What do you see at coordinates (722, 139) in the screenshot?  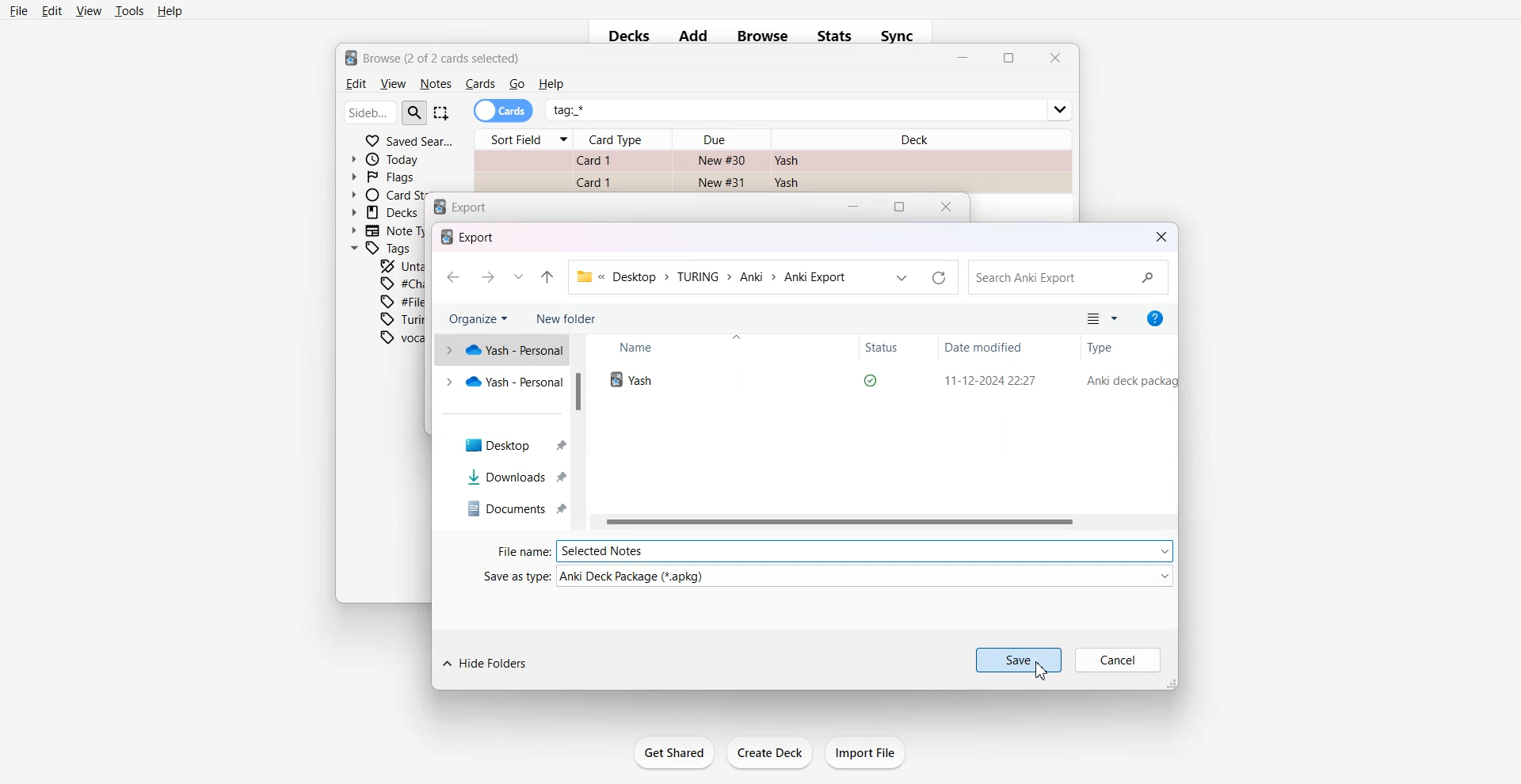 I see `Due` at bounding box center [722, 139].